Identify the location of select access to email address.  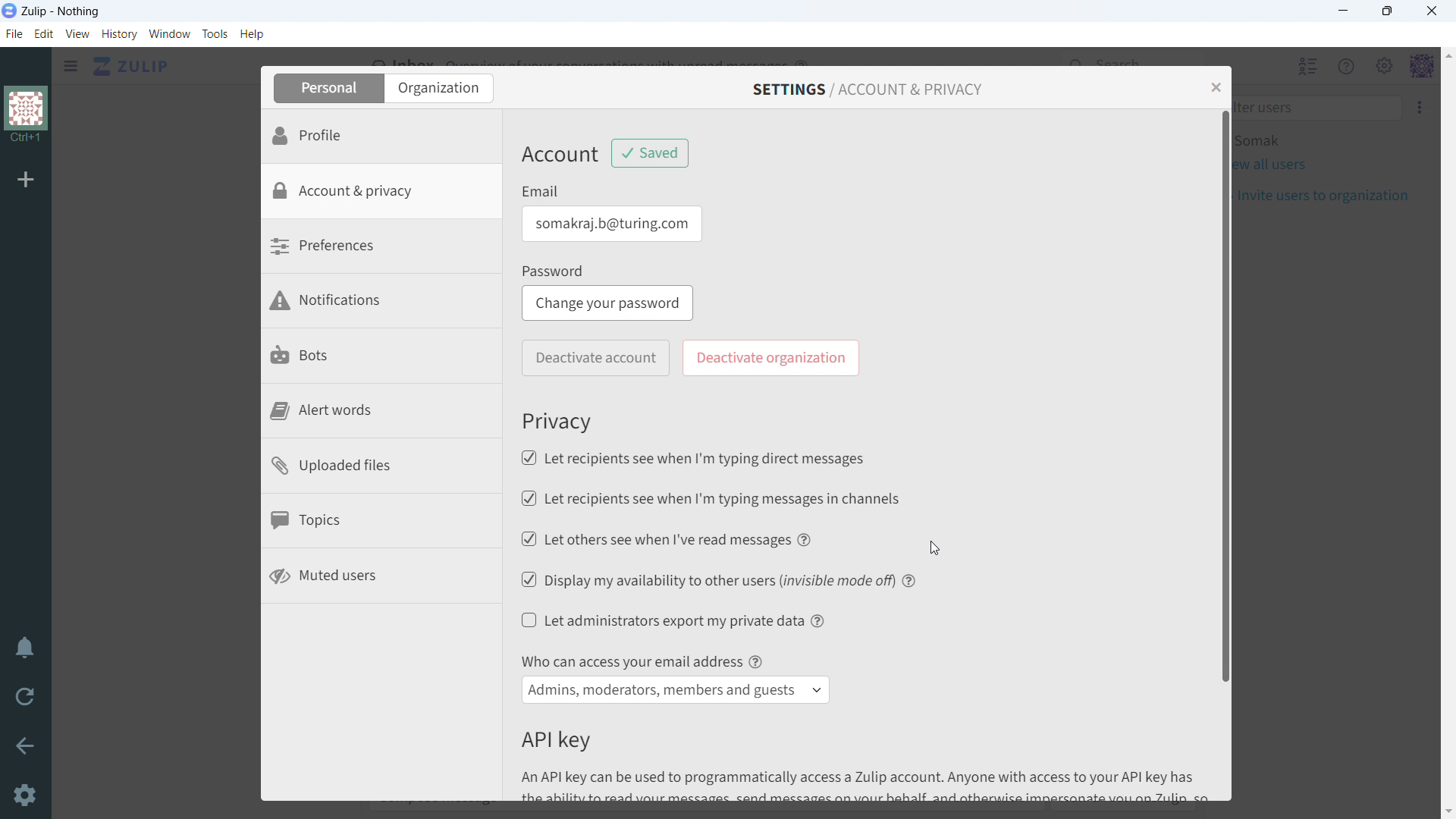
(675, 690).